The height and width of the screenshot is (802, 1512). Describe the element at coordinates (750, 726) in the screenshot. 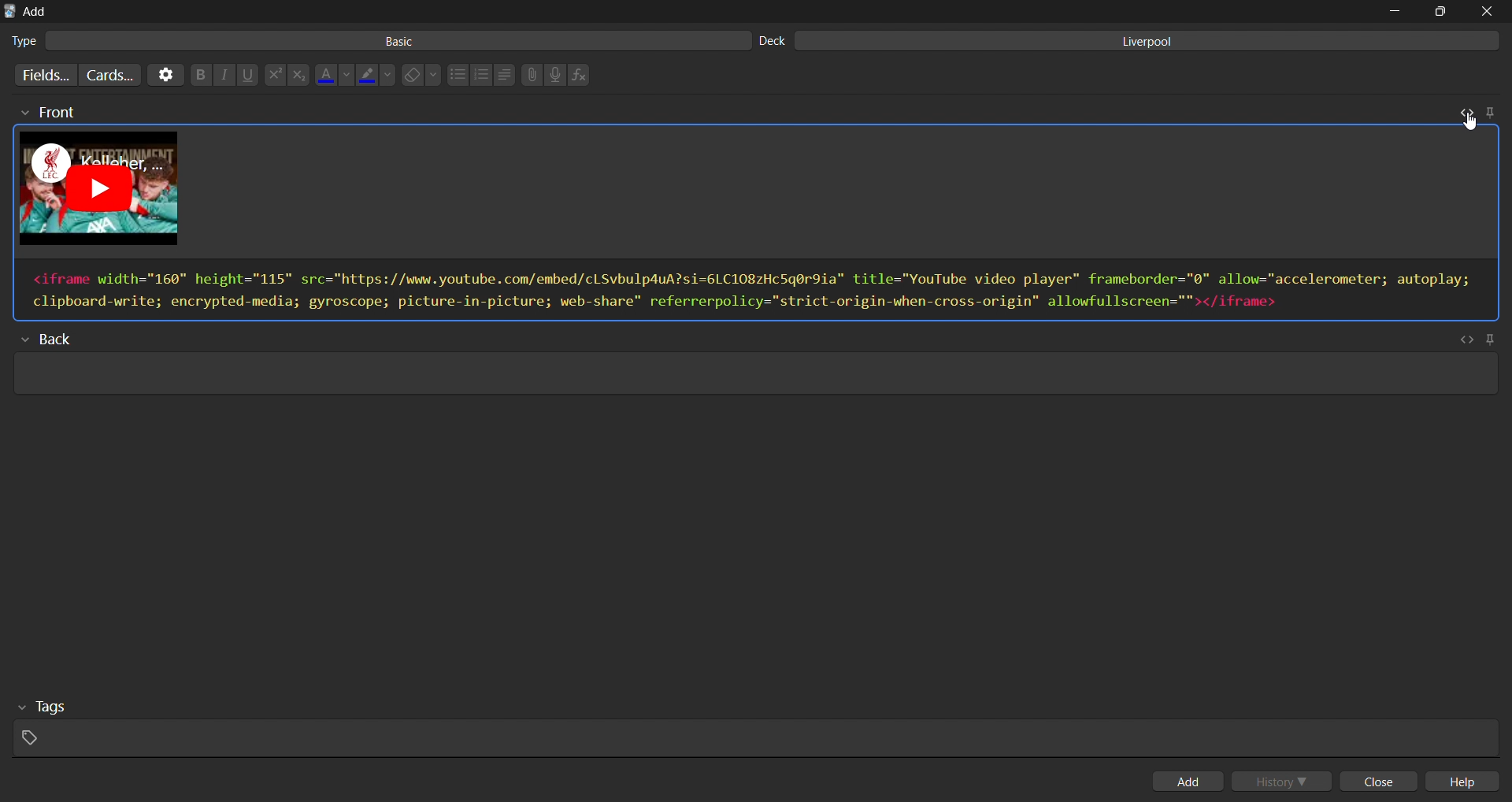

I see `tags input field` at that location.